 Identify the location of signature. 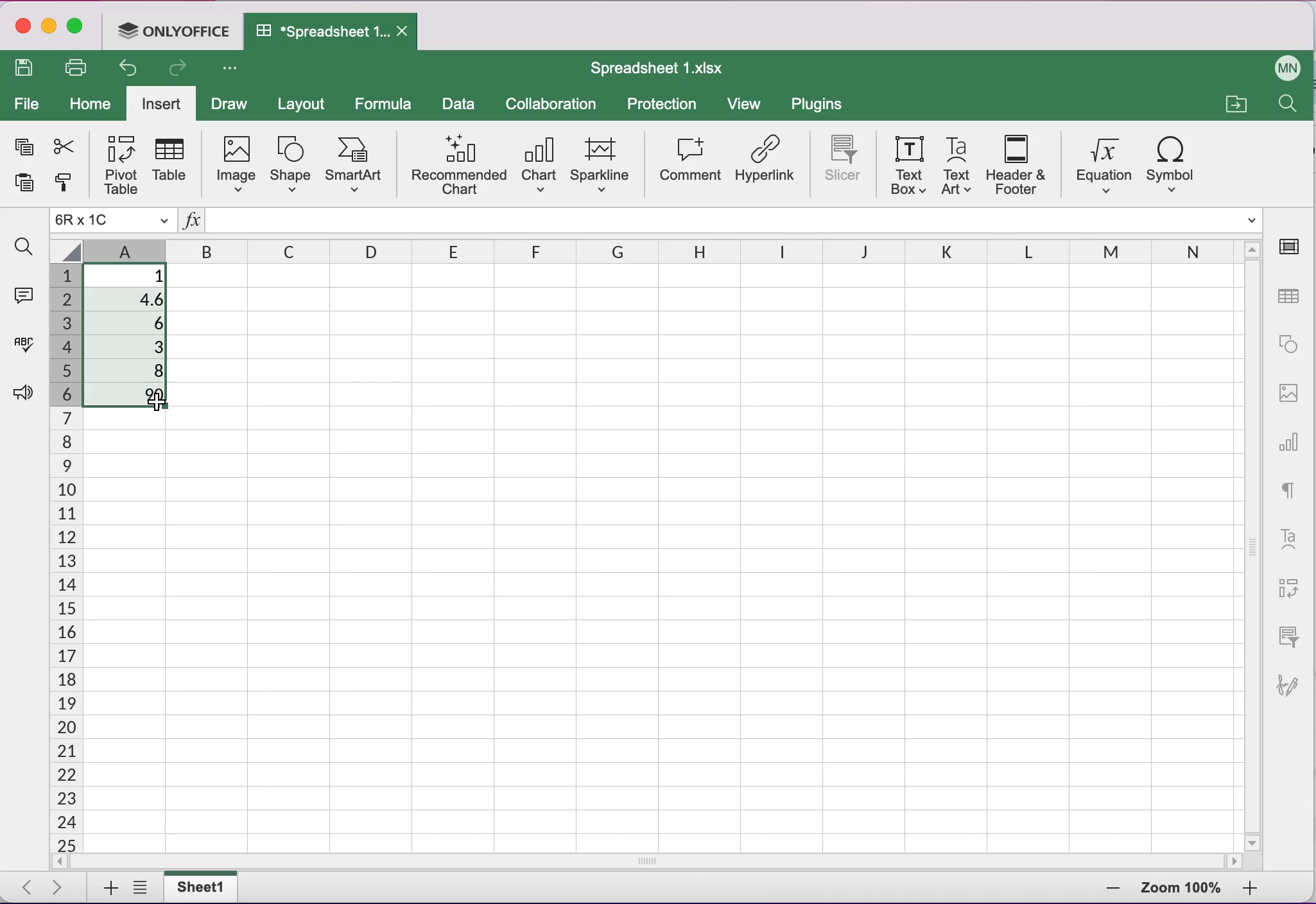
(1290, 688).